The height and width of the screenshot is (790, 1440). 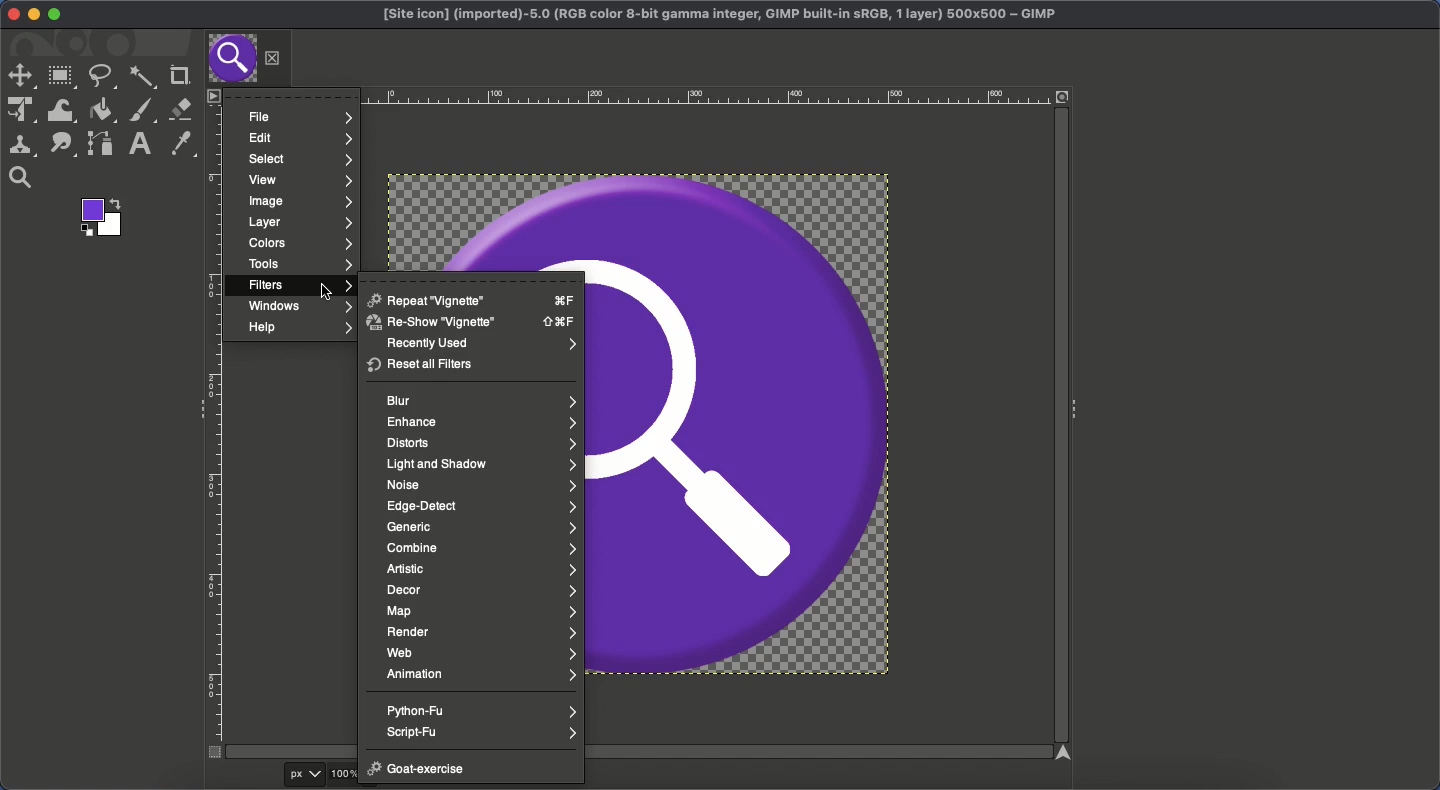 What do you see at coordinates (55, 15) in the screenshot?
I see `Maximize` at bounding box center [55, 15].